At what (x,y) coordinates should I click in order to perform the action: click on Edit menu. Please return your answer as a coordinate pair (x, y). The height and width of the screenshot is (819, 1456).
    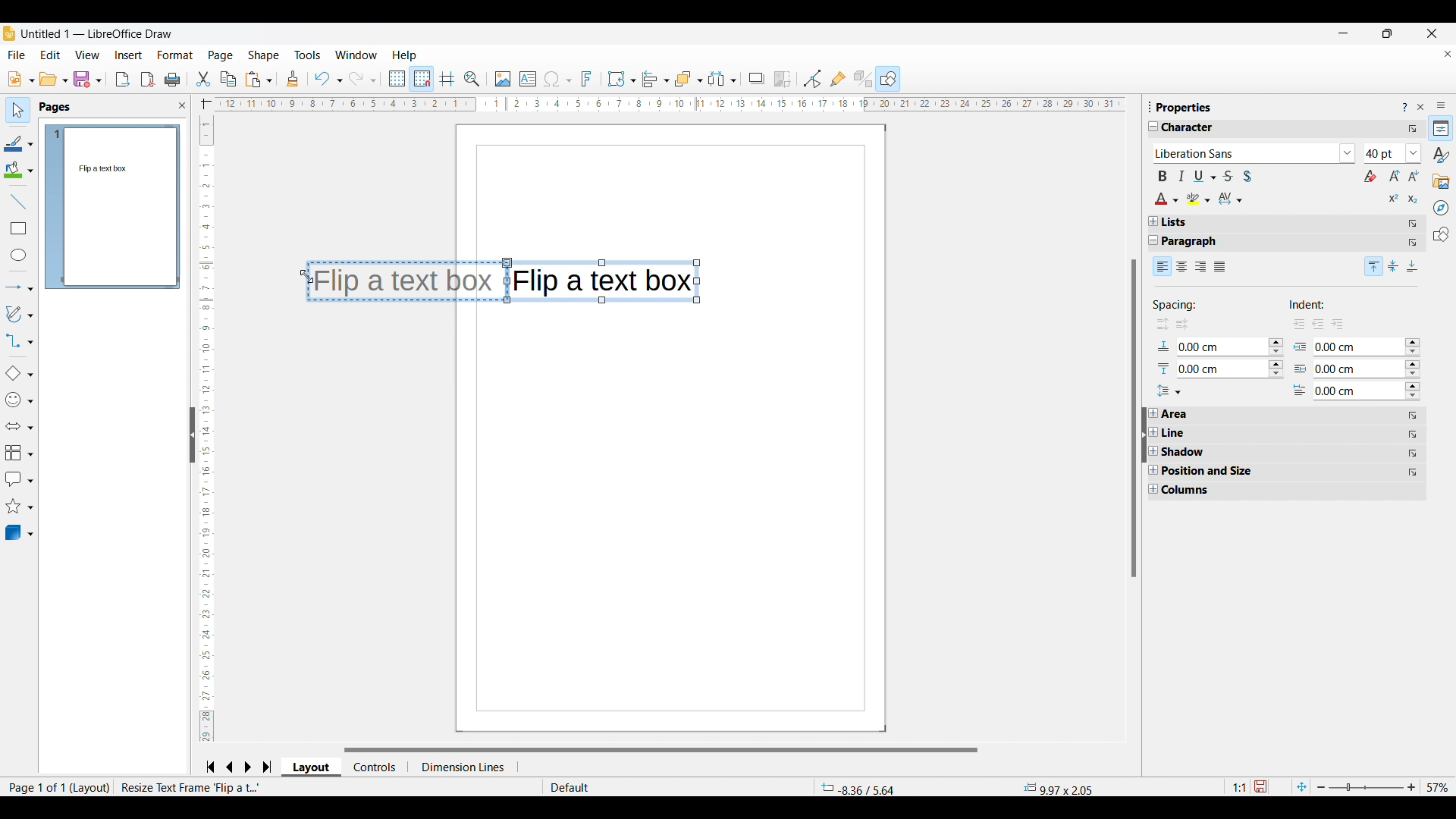
    Looking at the image, I should click on (51, 55).